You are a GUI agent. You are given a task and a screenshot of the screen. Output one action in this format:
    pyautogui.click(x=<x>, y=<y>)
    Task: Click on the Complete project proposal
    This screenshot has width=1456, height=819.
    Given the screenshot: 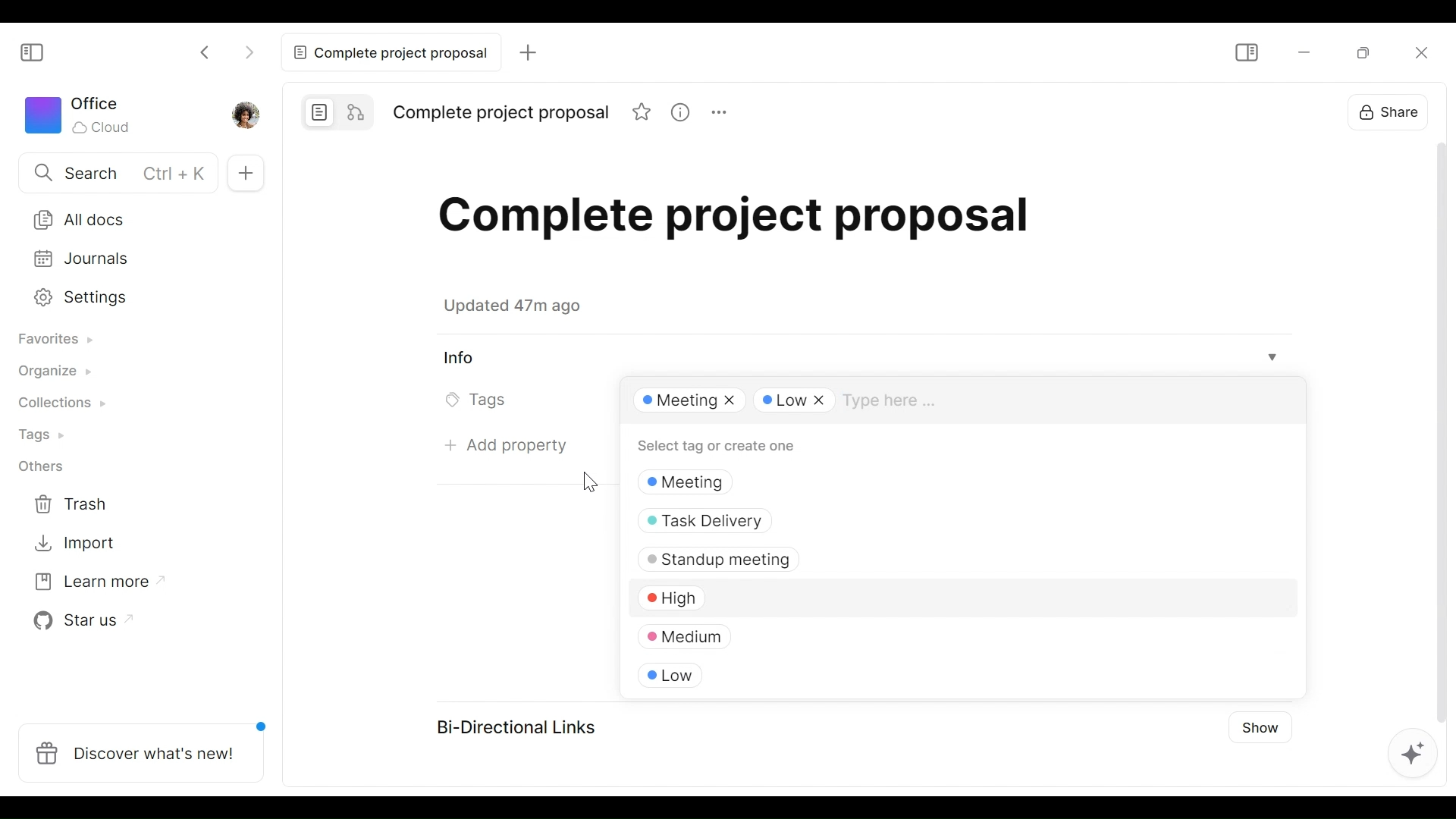 What is the action you would take?
    pyautogui.click(x=388, y=52)
    